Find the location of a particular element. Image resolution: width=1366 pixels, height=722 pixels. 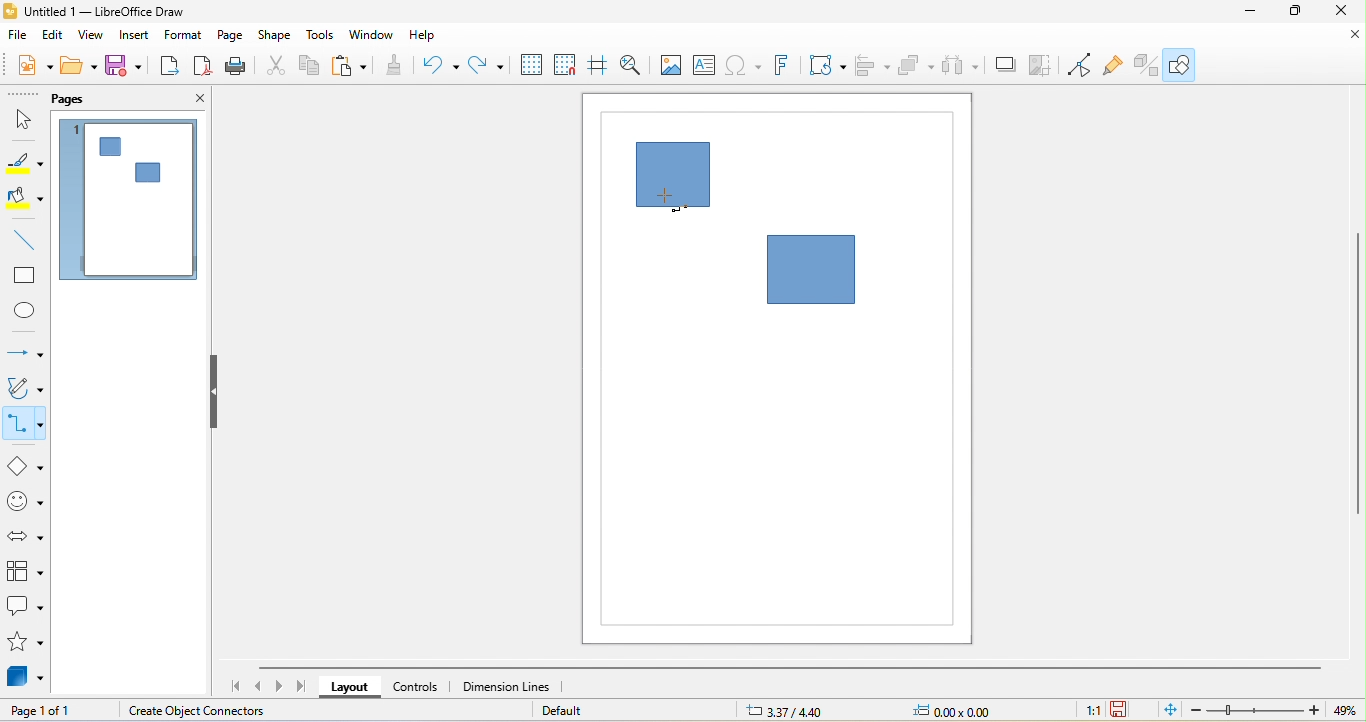

vertical scroll bar is located at coordinates (1357, 381).